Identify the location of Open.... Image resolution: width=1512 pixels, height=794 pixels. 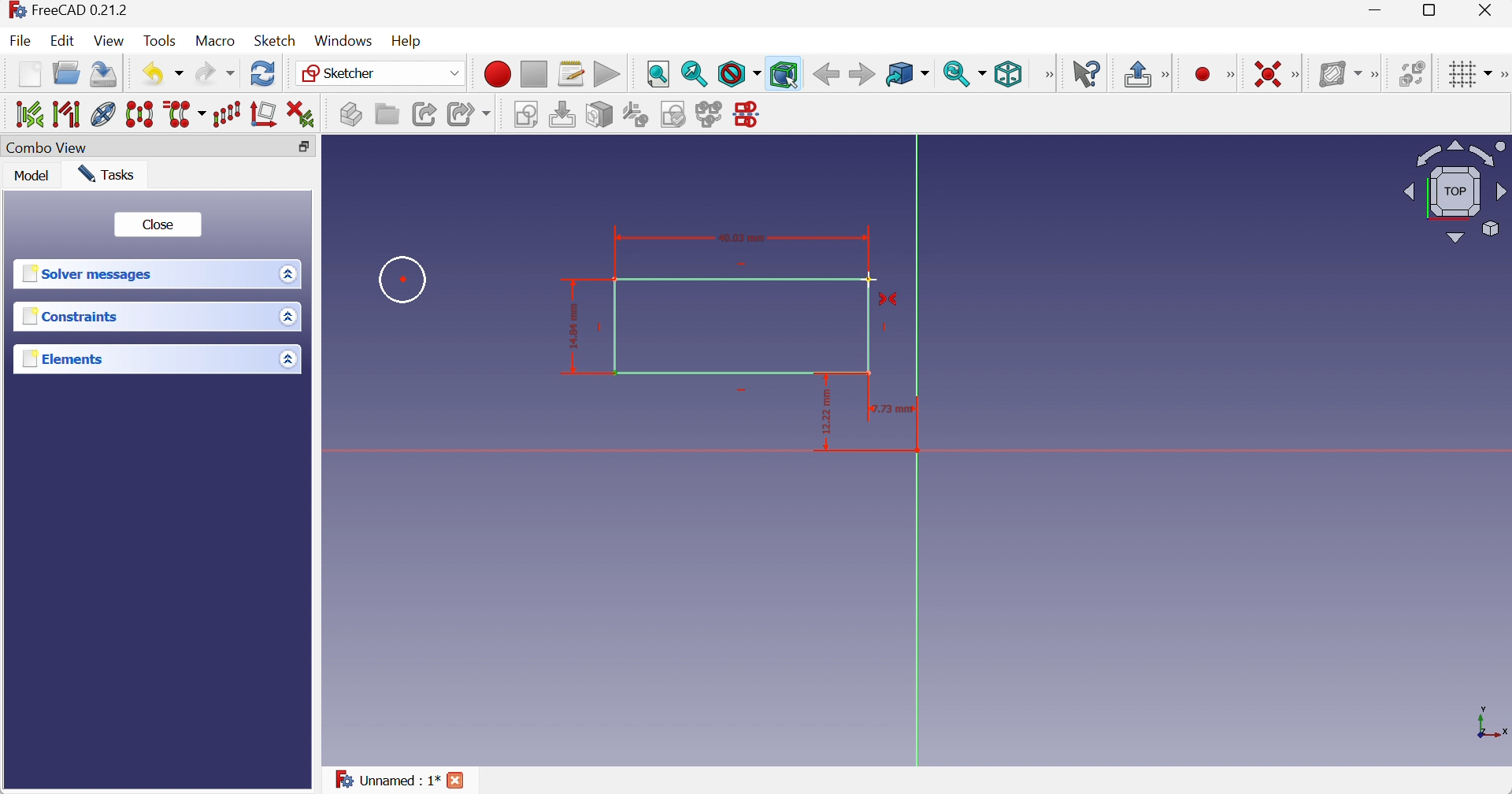
(66, 72).